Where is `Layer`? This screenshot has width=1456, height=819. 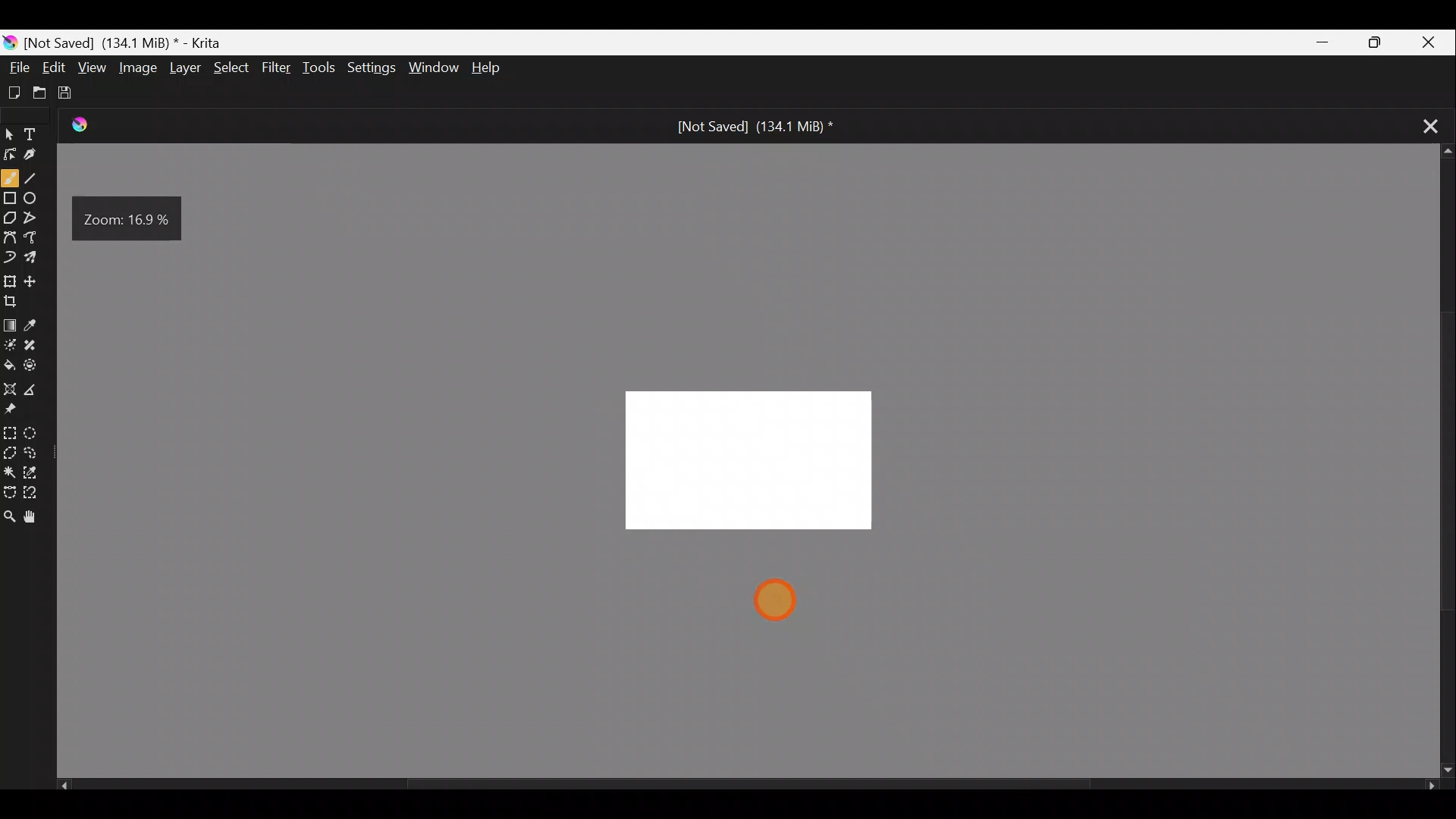 Layer is located at coordinates (187, 71).